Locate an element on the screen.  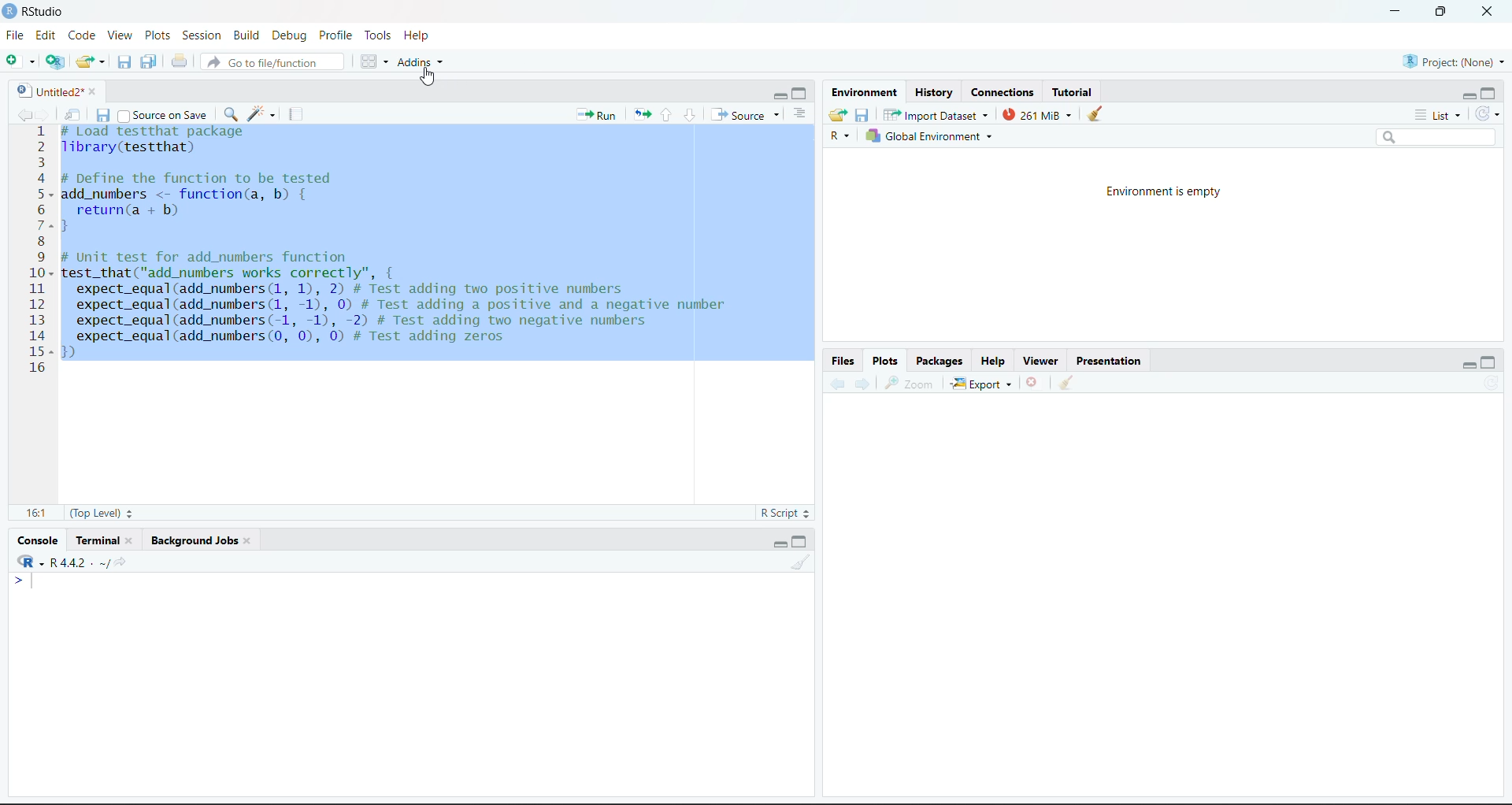
Forward is located at coordinates (862, 382).